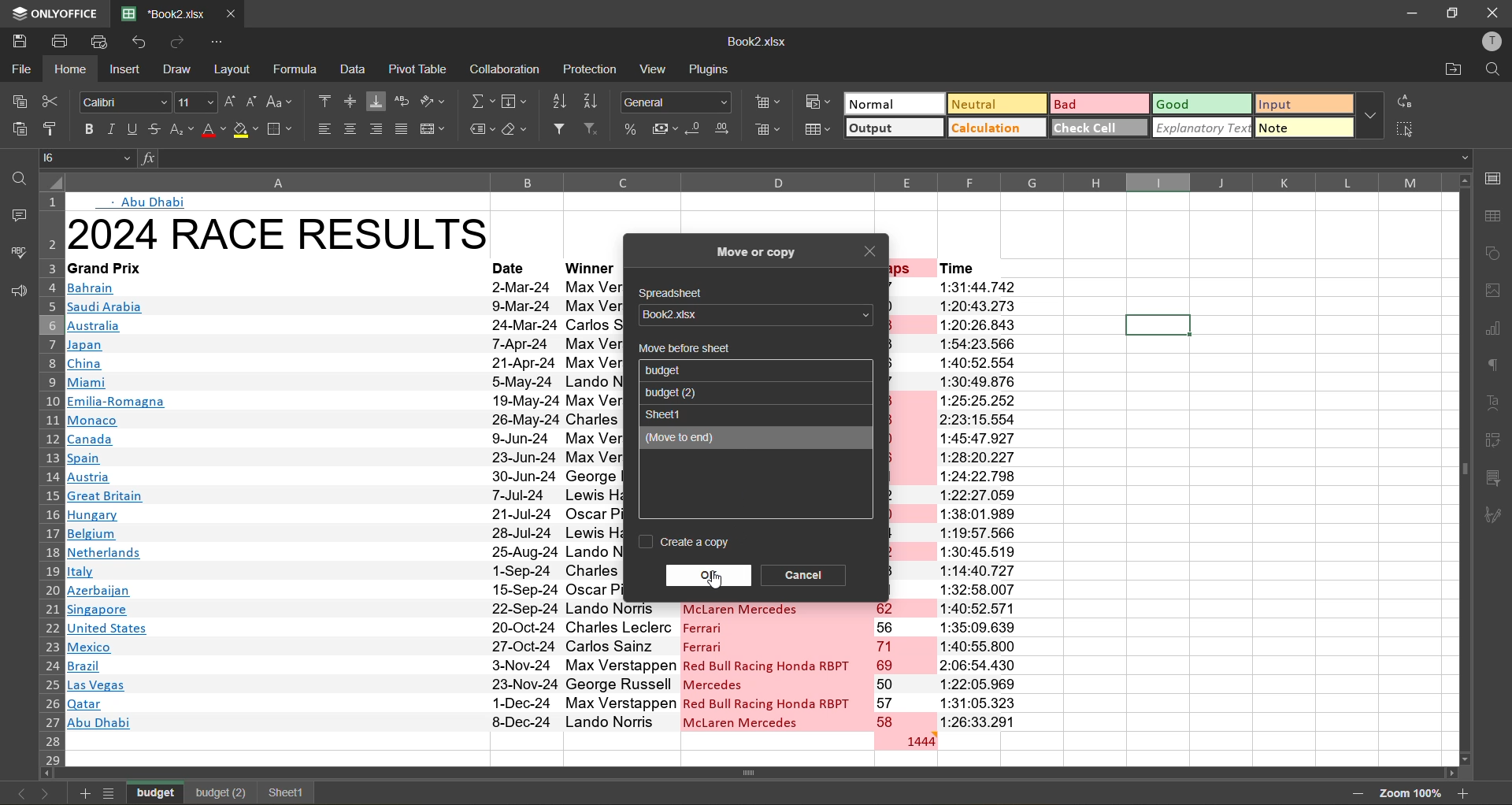  What do you see at coordinates (751, 315) in the screenshot?
I see `spreadsheet name` at bounding box center [751, 315].